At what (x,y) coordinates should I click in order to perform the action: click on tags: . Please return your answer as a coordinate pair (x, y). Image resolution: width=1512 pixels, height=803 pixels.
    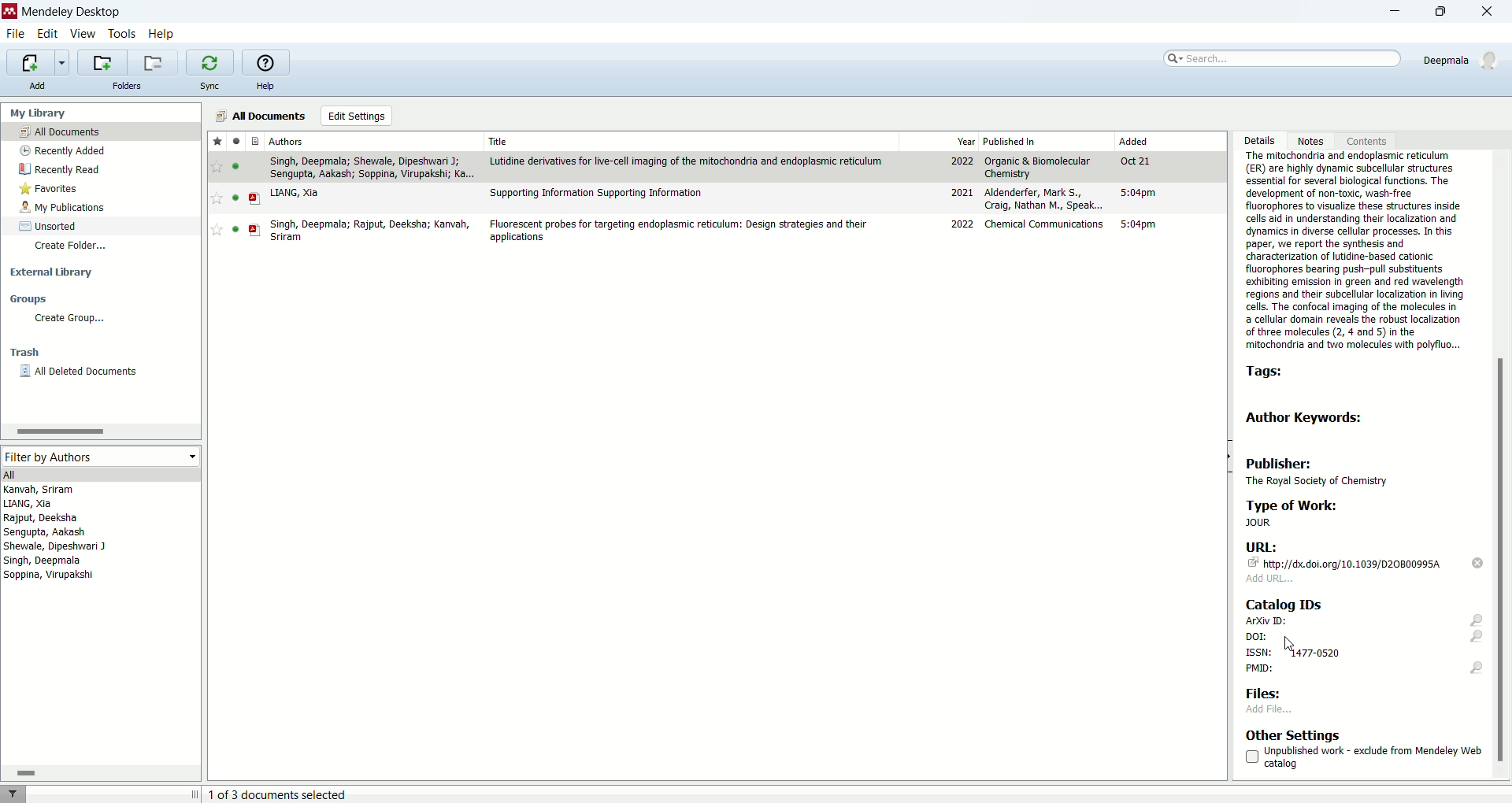
    Looking at the image, I should click on (1270, 373).